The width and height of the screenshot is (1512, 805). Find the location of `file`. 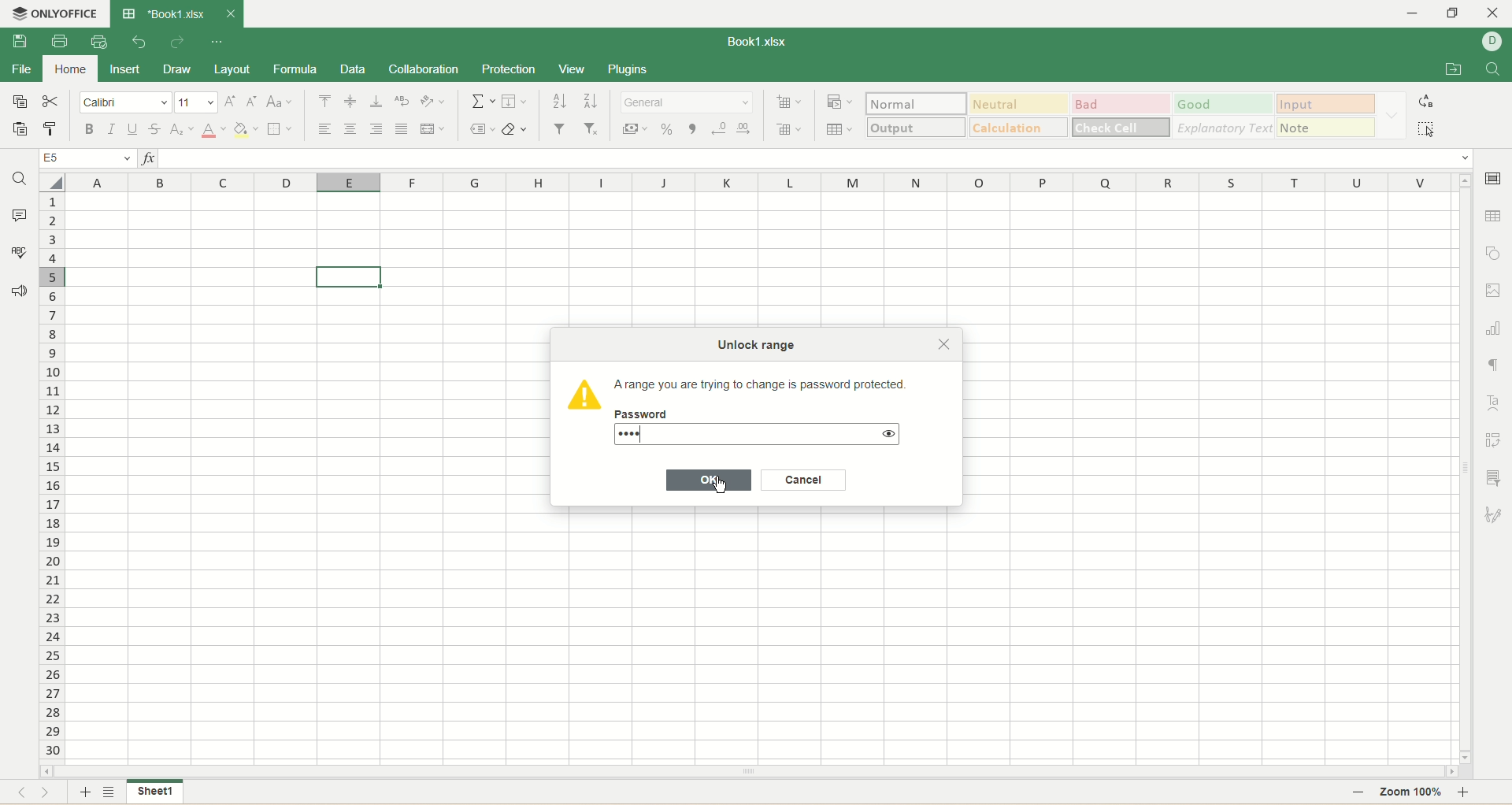

file is located at coordinates (22, 70).